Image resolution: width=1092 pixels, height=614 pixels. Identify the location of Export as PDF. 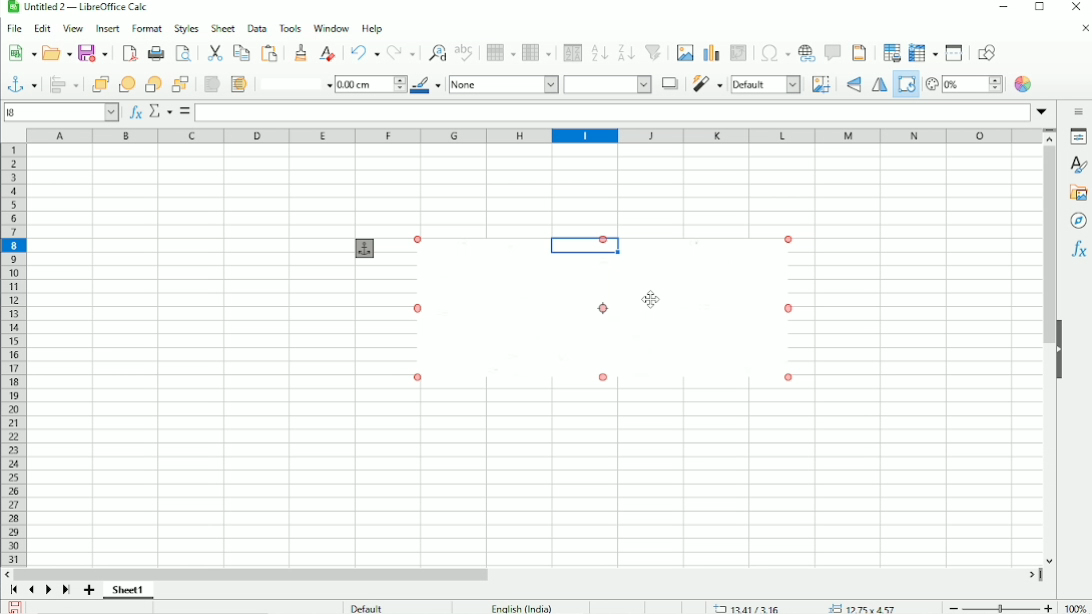
(129, 53).